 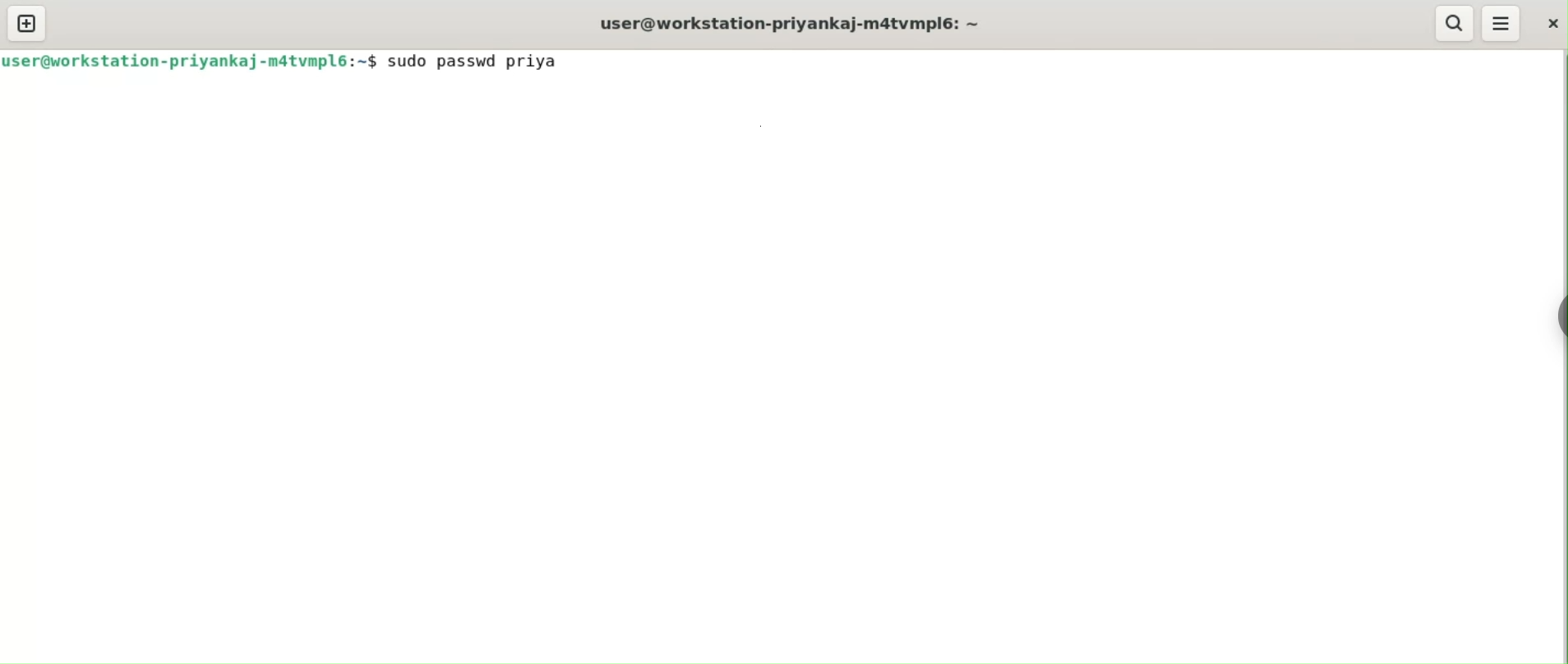 What do you see at coordinates (1502, 23) in the screenshot?
I see `menu` at bounding box center [1502, 23].